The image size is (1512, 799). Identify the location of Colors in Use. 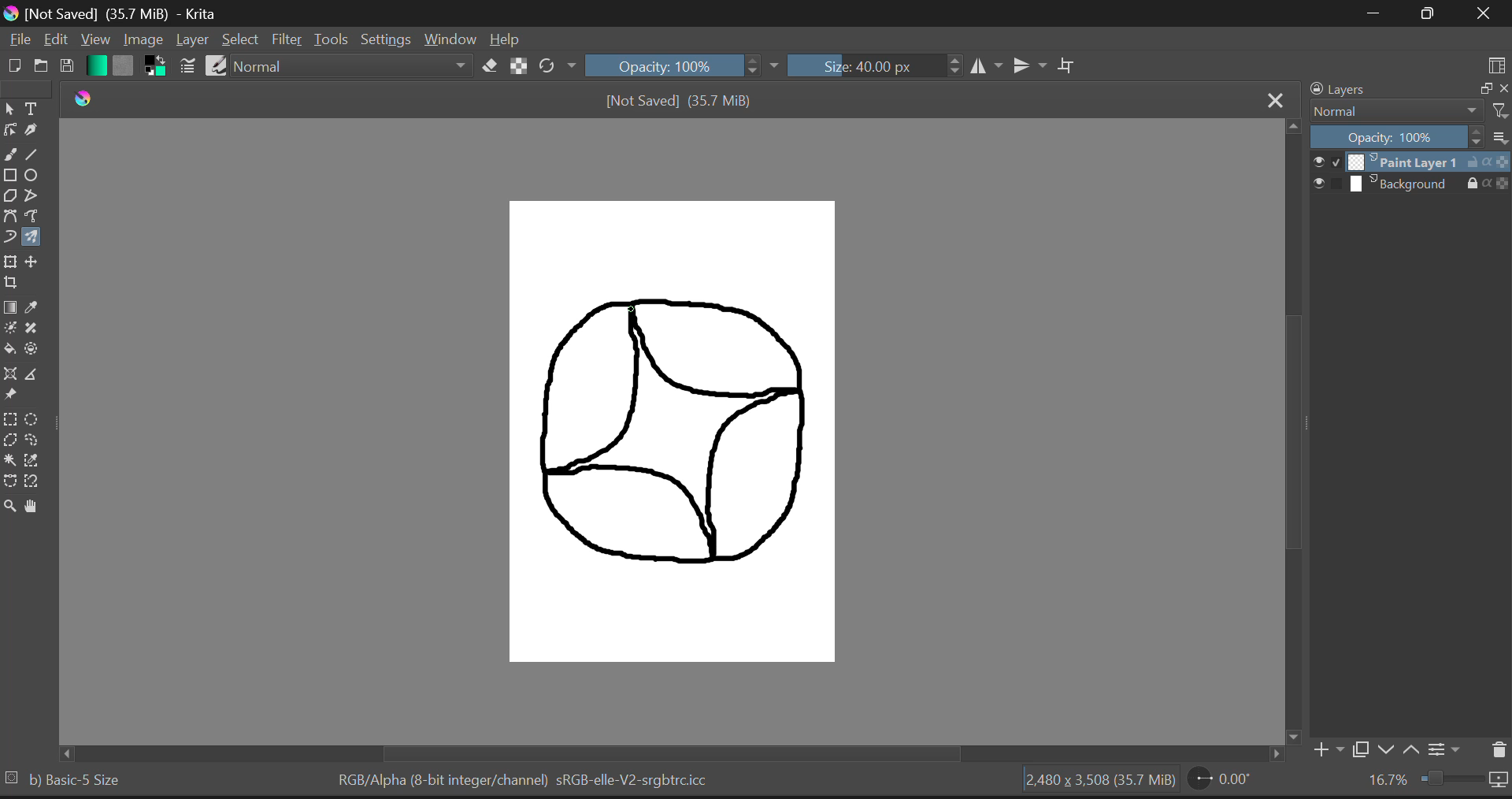
(154, 65).